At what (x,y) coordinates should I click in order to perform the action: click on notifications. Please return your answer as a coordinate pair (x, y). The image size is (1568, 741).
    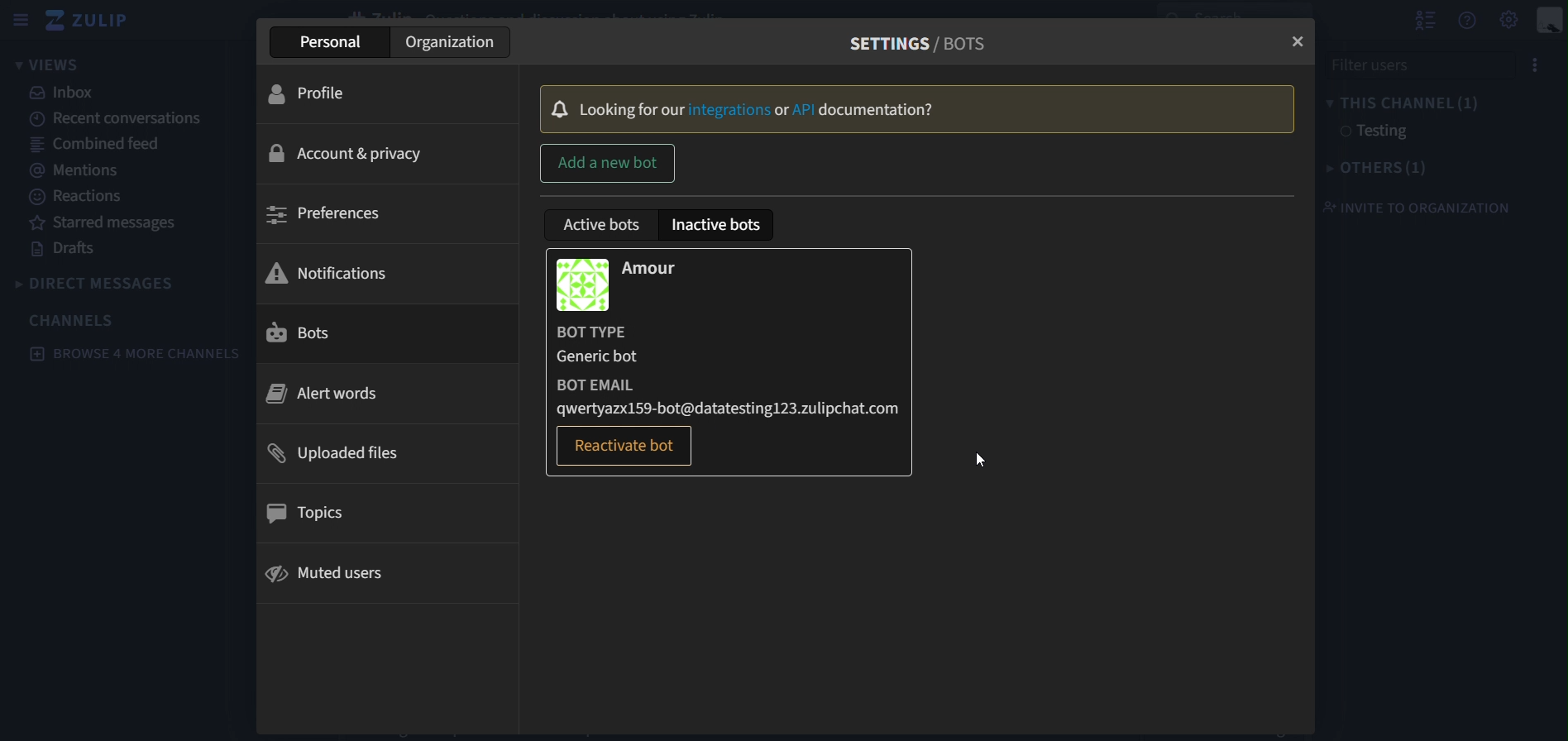
    Looking at the image, I should click on (336, 271).